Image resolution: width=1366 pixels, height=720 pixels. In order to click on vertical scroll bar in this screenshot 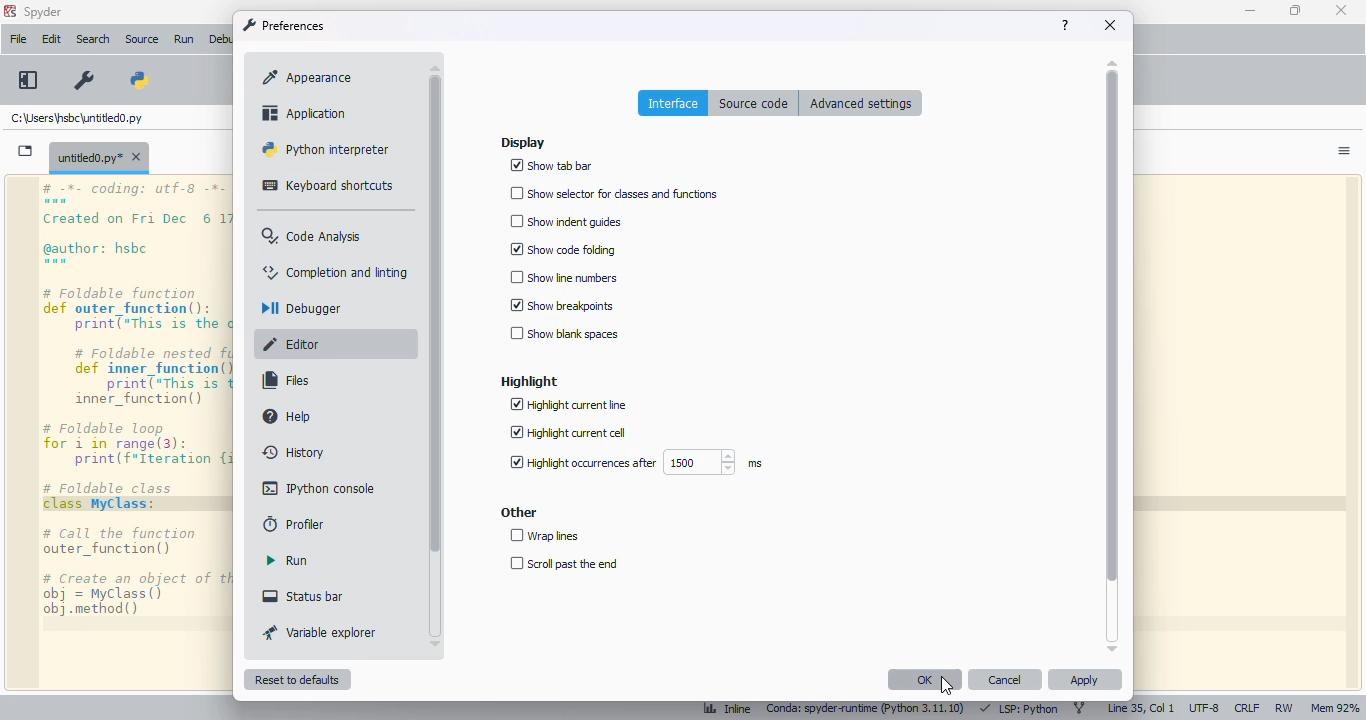, I will do `click(1113, 327)`.